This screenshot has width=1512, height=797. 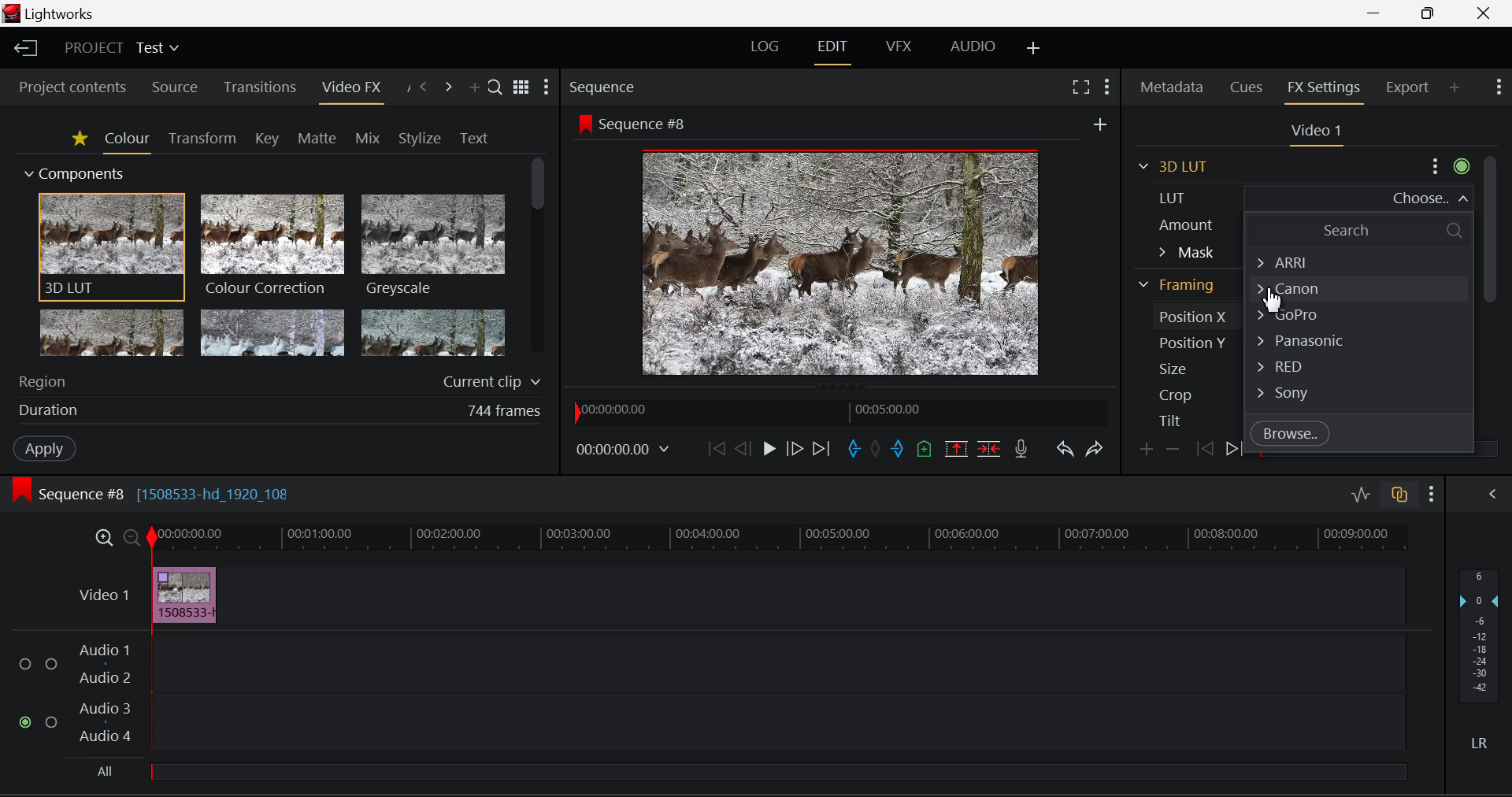 I want to click on Mask, so click(x=1185, y=254).